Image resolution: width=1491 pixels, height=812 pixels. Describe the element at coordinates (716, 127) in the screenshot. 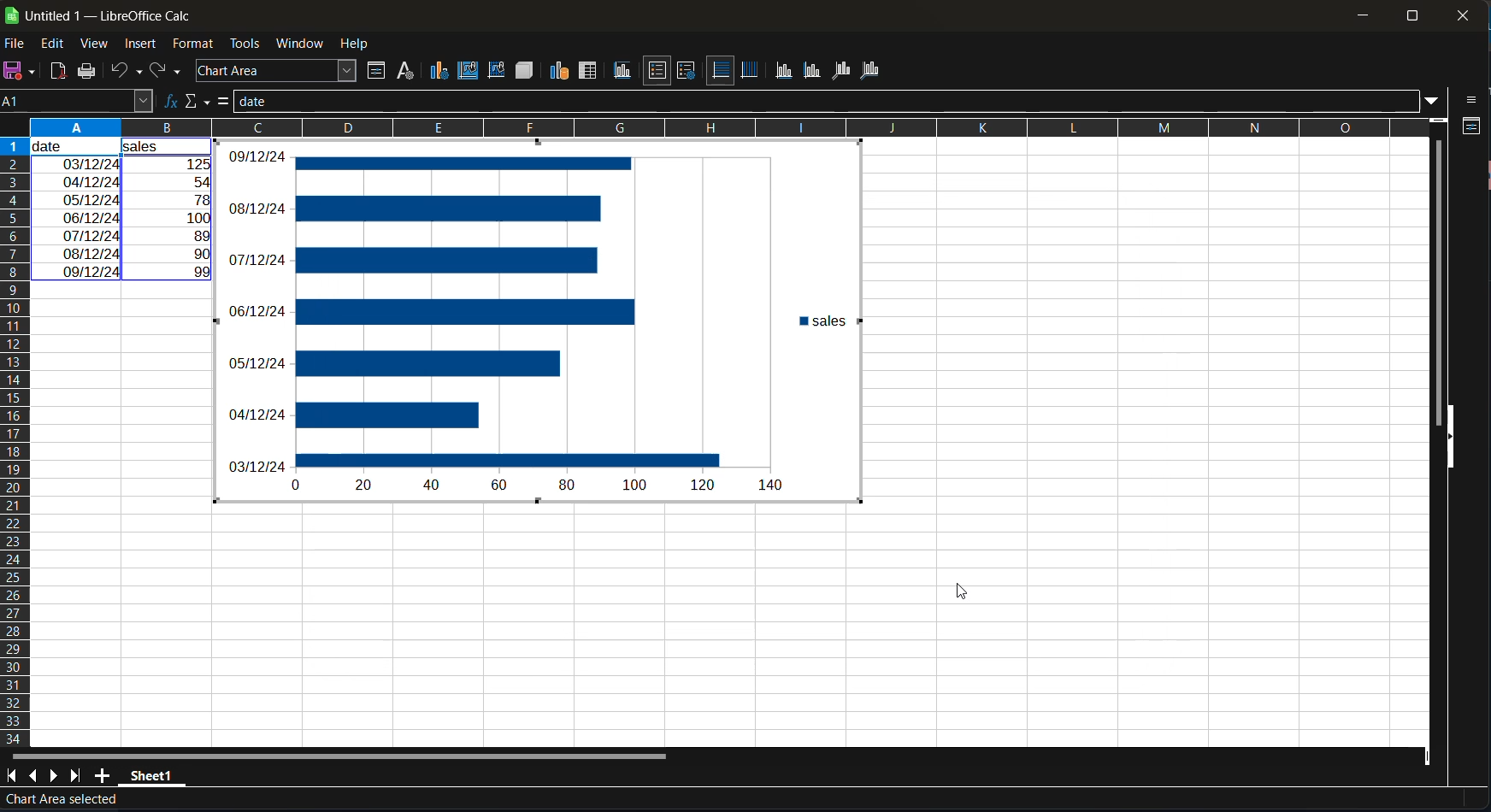

I see `rows` at that location.